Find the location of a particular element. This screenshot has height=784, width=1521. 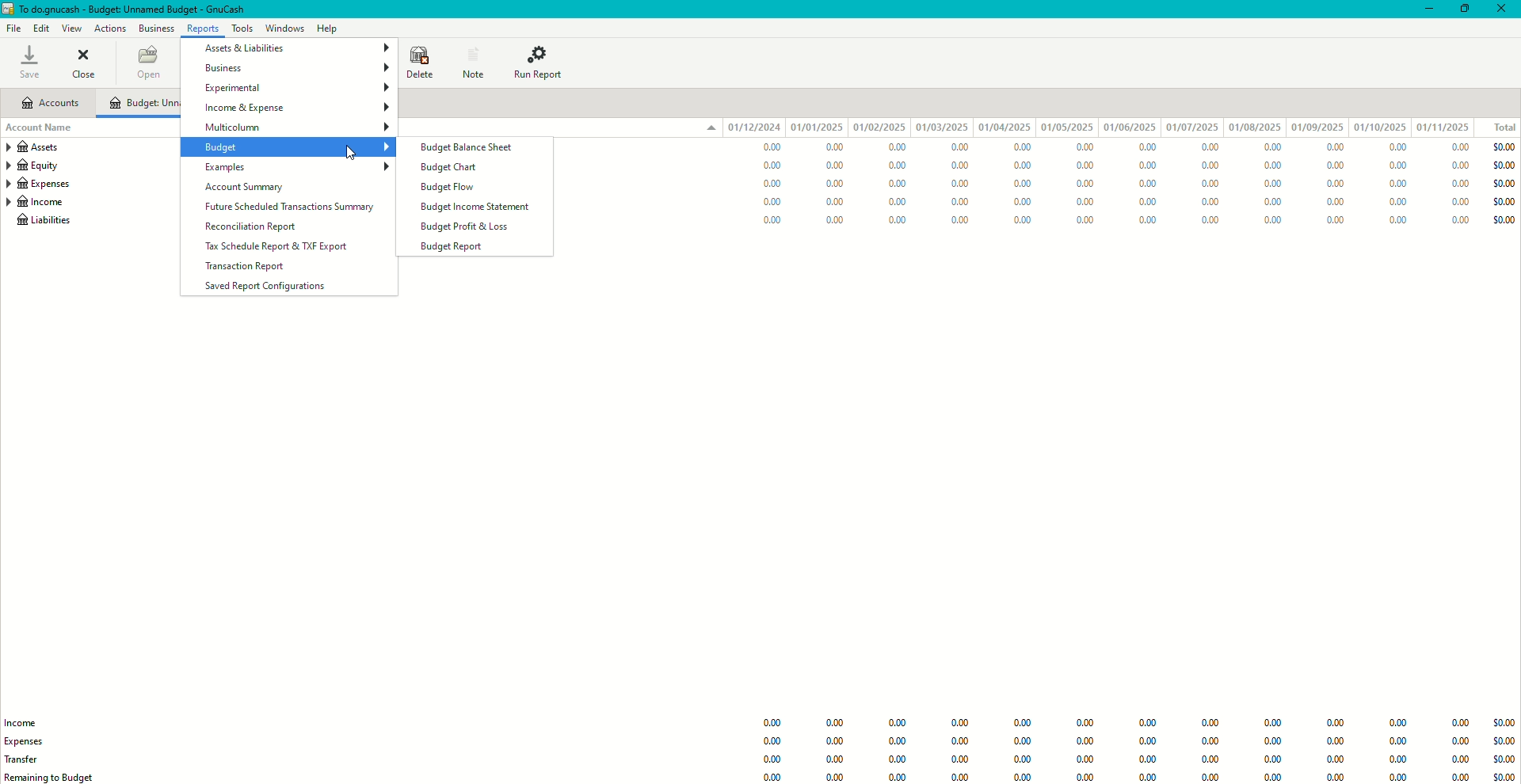

Tools is located at coordinates (240, 28).